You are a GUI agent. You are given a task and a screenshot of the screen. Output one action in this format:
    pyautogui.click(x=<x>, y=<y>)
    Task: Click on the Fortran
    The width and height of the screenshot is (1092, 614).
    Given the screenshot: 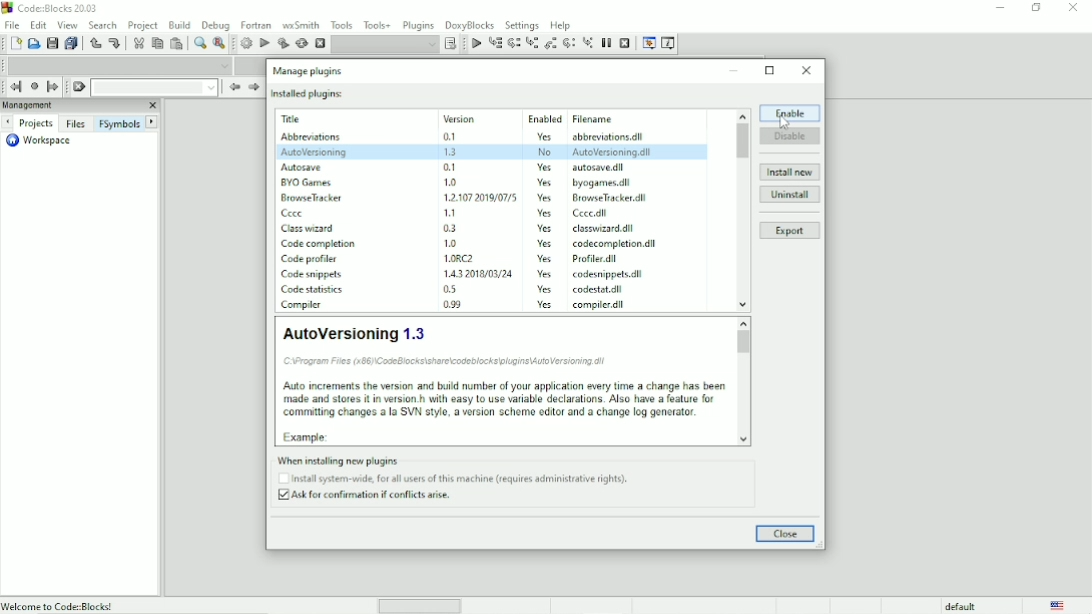 What is the action you would take?
    pyautogui.click(x=255, y=25)
    